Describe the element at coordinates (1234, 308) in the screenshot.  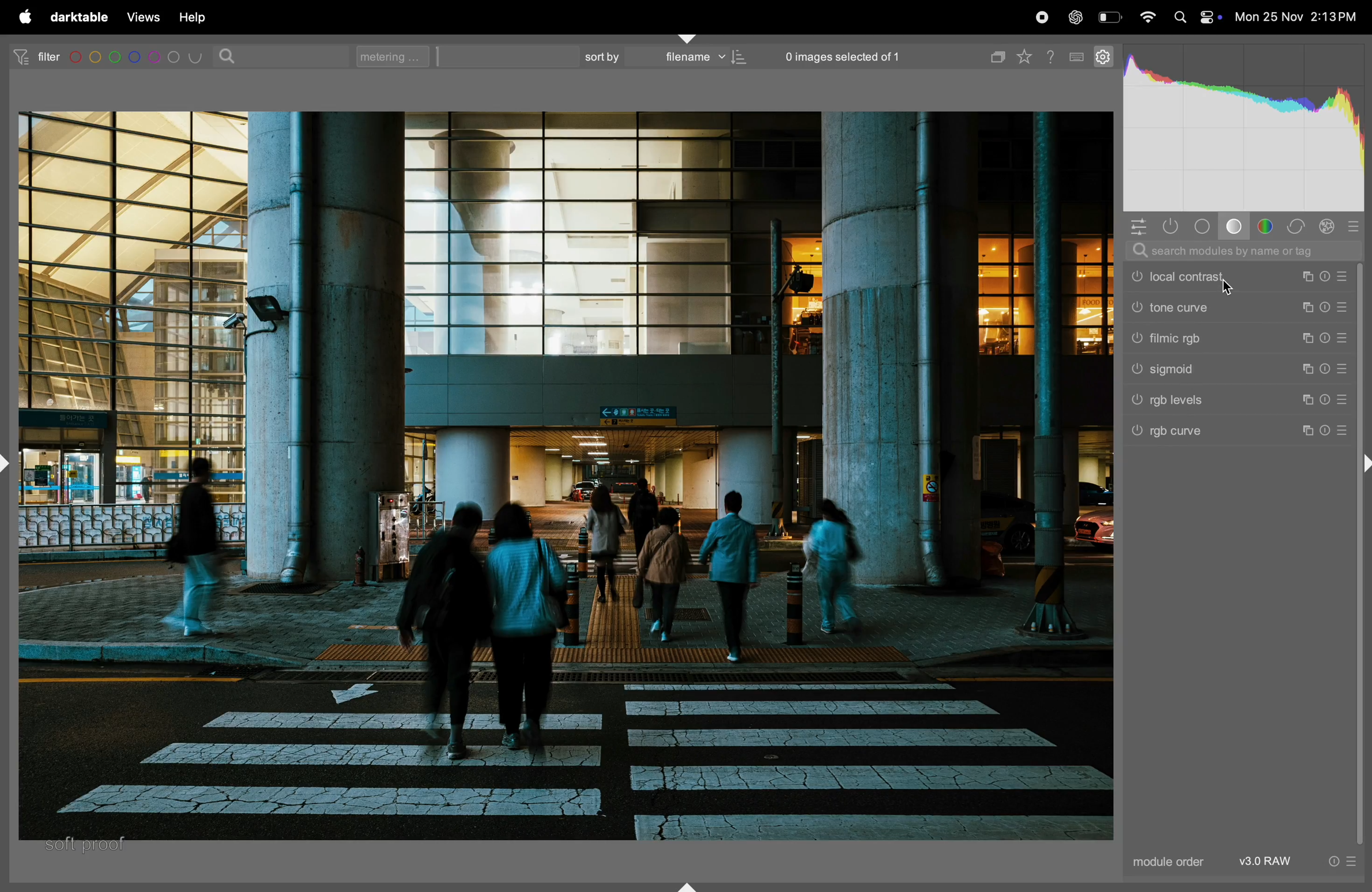
I see `tone curve` at that location.